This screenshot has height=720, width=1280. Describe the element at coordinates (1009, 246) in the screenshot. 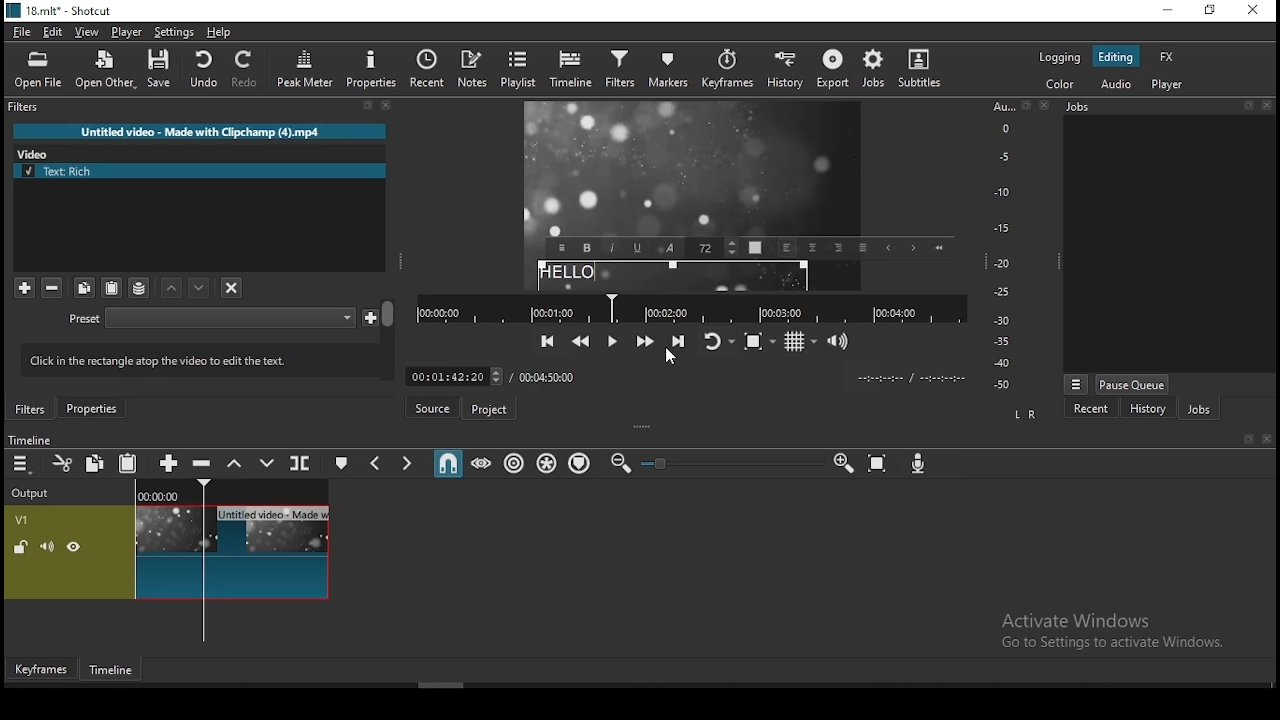

I see `Audio Level` at that location.